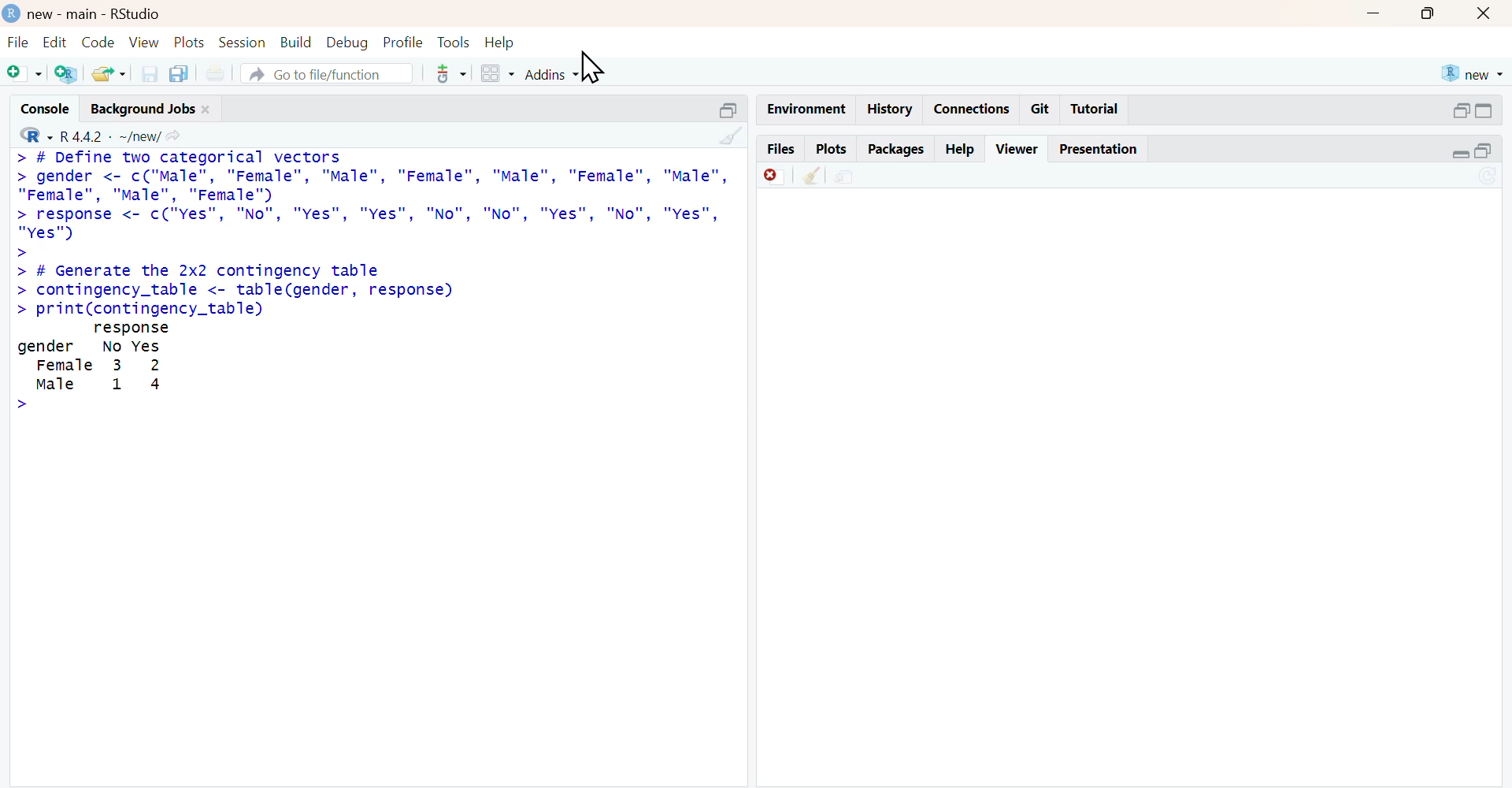 This screenshot has width=1512, height=788. What do you see at coordinates (812, 176) in the screenshot?
I see `clean` at bounding box center [812, 176].